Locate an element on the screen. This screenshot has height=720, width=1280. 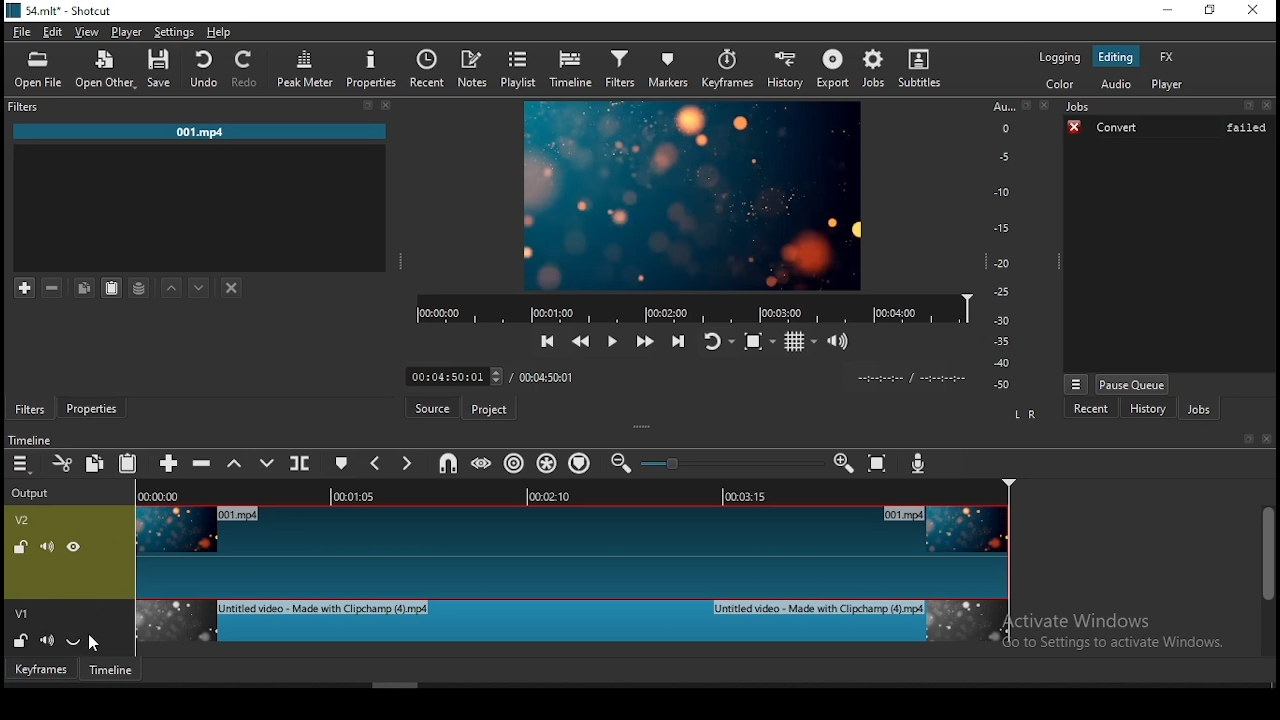
keyframe is located at coordinates (42, 672).